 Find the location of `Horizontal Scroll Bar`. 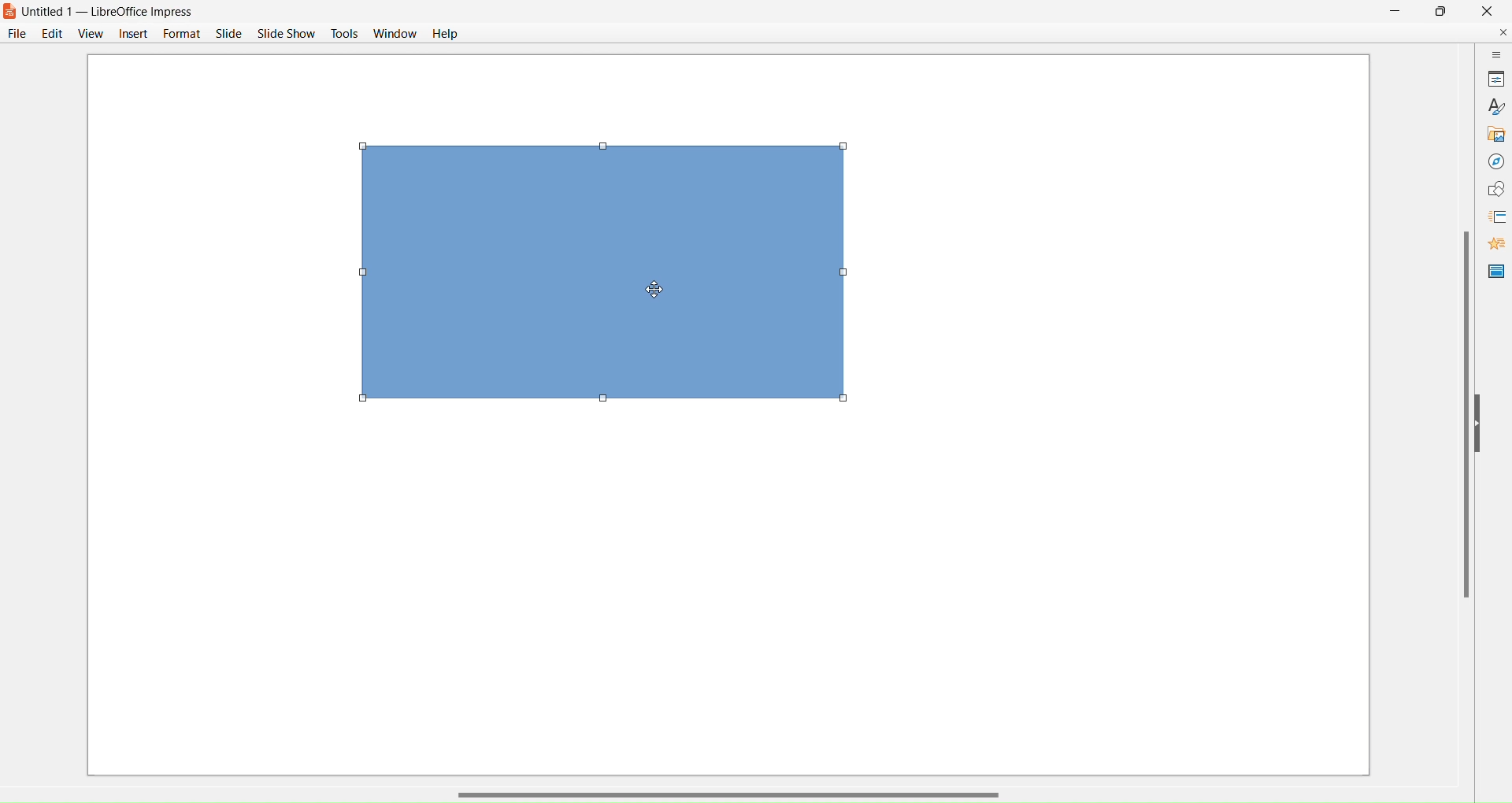

Horizontal Scroll Bar is located at coordinates (736, 791).